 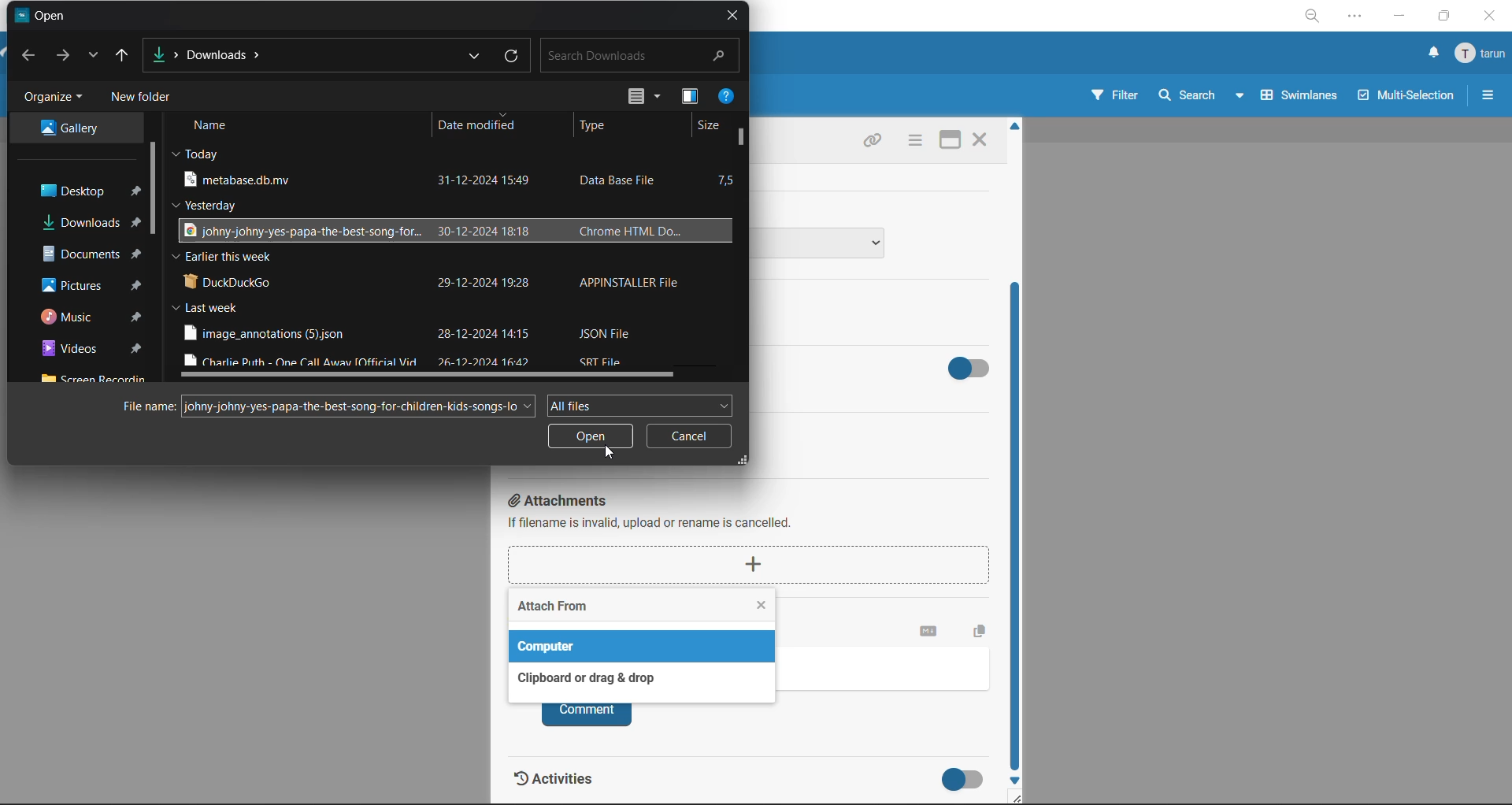 I want to click on maximize, so click(x=947, y=142).